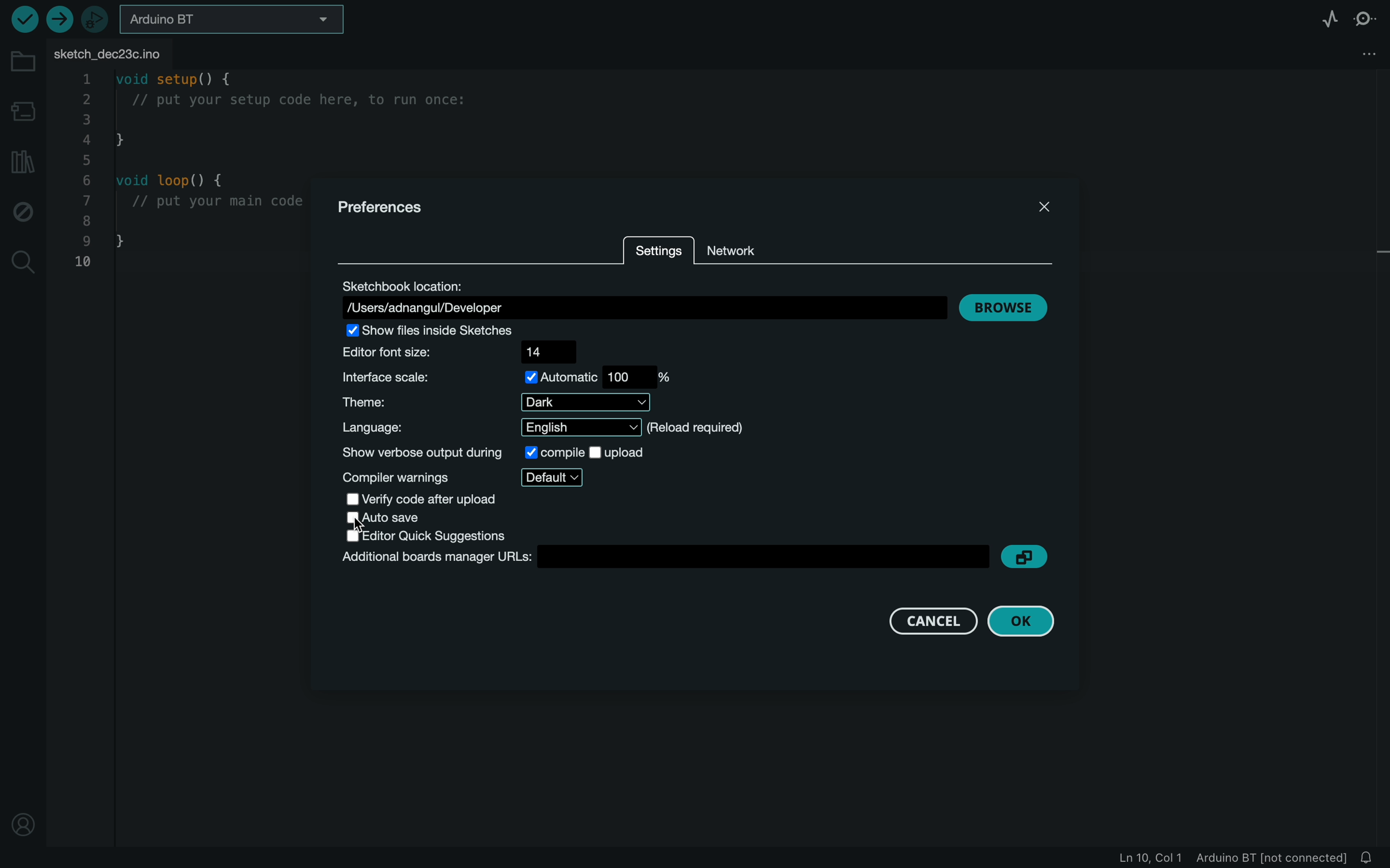 Image resolution: width=1390 pixels, height=868 pixels. What do you see at coordinates (25, 63) in the screenshot?
I see `folder` at bounding box center [25, 63].